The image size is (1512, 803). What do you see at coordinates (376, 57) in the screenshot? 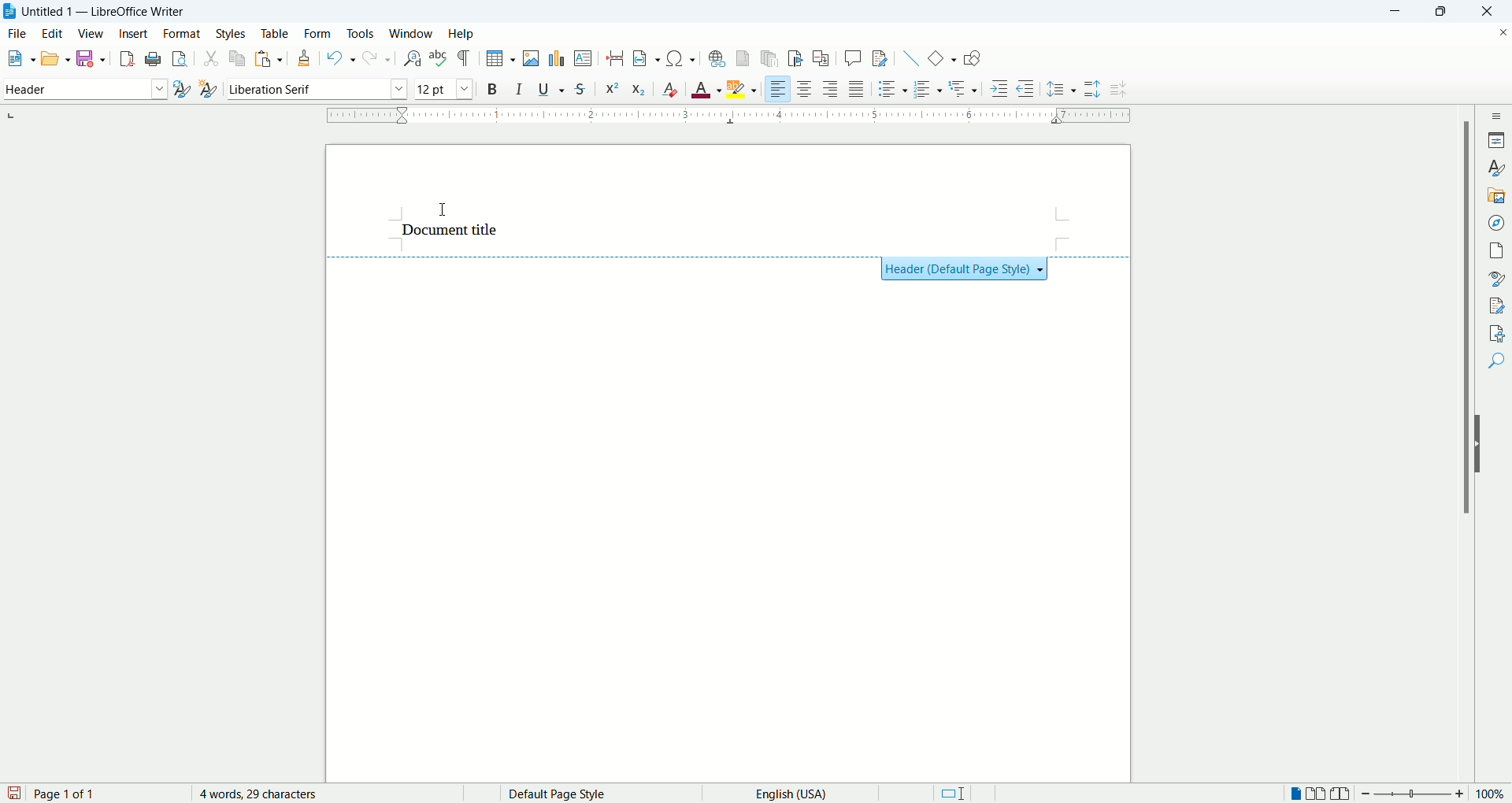
I see `redo` at bounding box center [376, 57].